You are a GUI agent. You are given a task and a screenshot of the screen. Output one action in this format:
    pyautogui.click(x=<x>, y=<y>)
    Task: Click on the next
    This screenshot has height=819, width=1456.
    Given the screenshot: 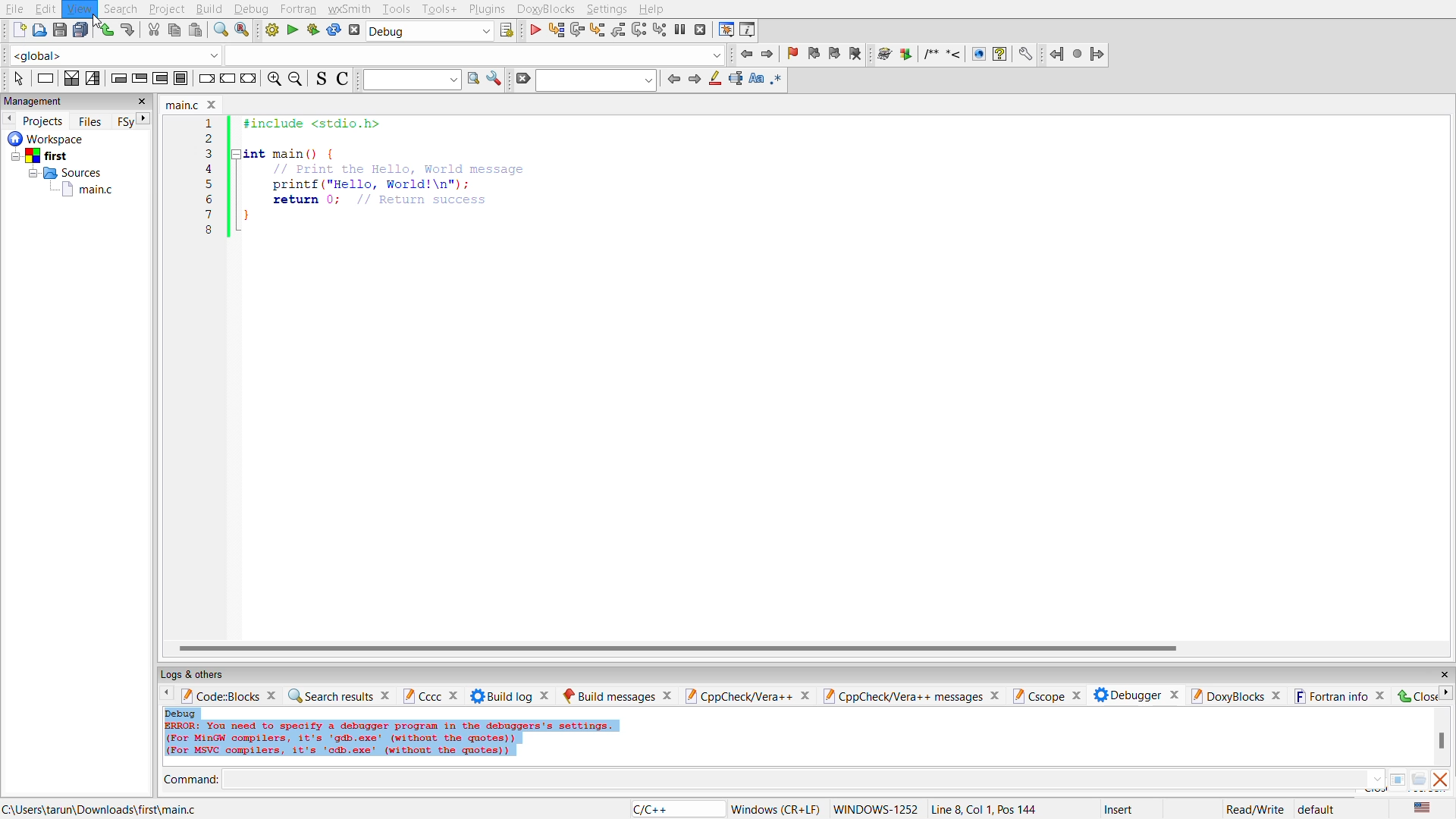 What is the action you would take?
    pyautogui.click(x=144, y=118)
    